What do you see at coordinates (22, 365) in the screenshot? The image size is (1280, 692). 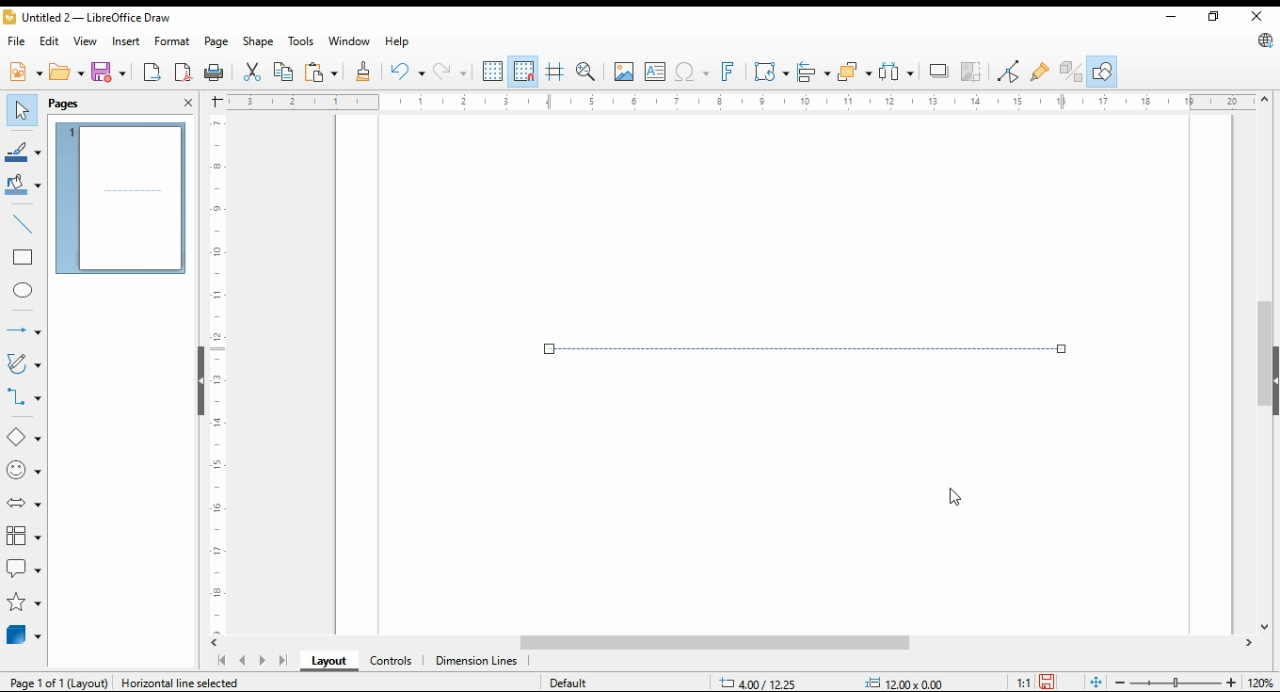 I see `curves and polygons` at bounding box center [22, 365].